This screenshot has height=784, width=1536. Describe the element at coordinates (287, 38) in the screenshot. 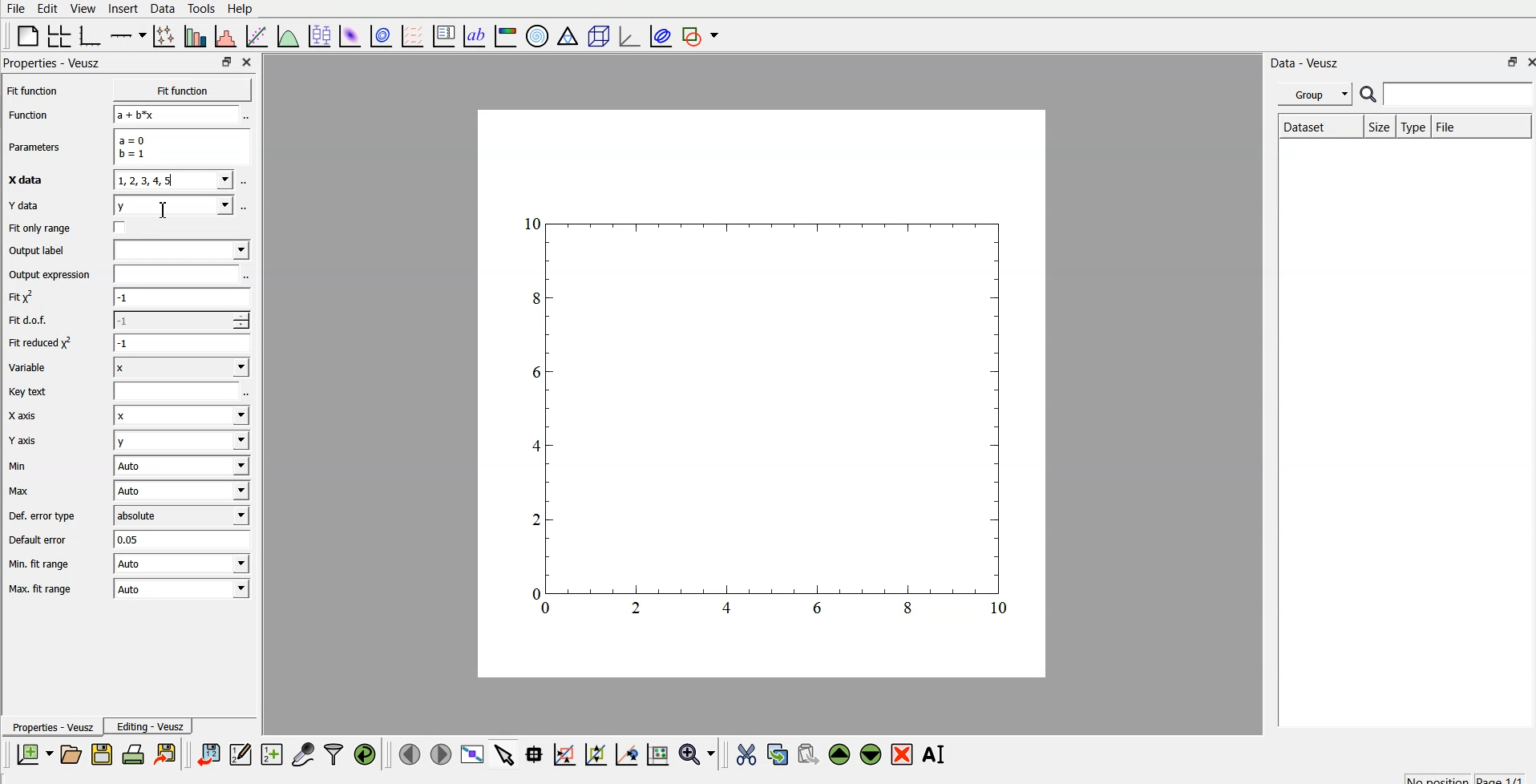

I see `plot a function` at that location.